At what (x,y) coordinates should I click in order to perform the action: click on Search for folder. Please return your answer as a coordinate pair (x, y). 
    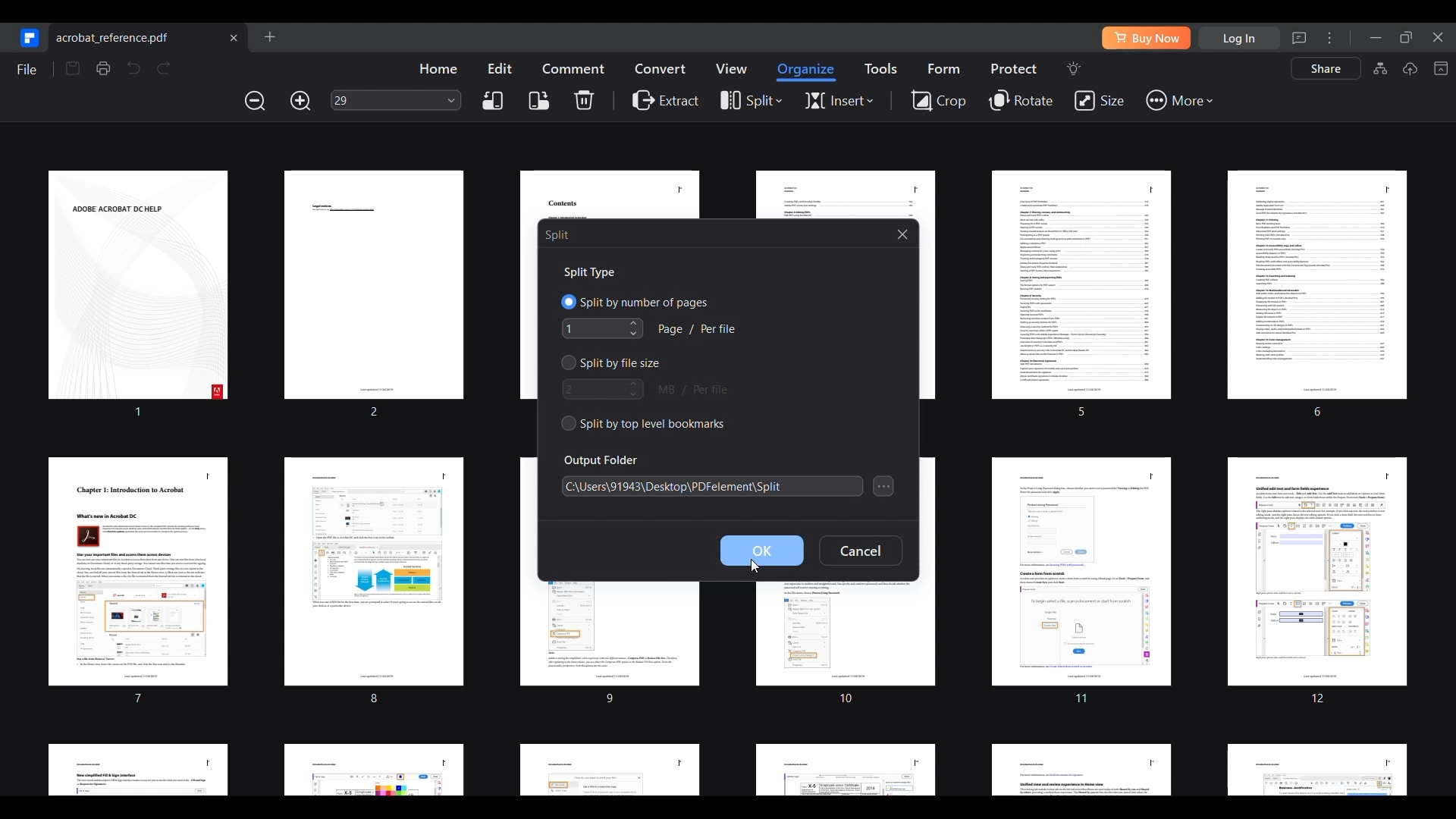
    Looking at the image, I should click on (883, 486).